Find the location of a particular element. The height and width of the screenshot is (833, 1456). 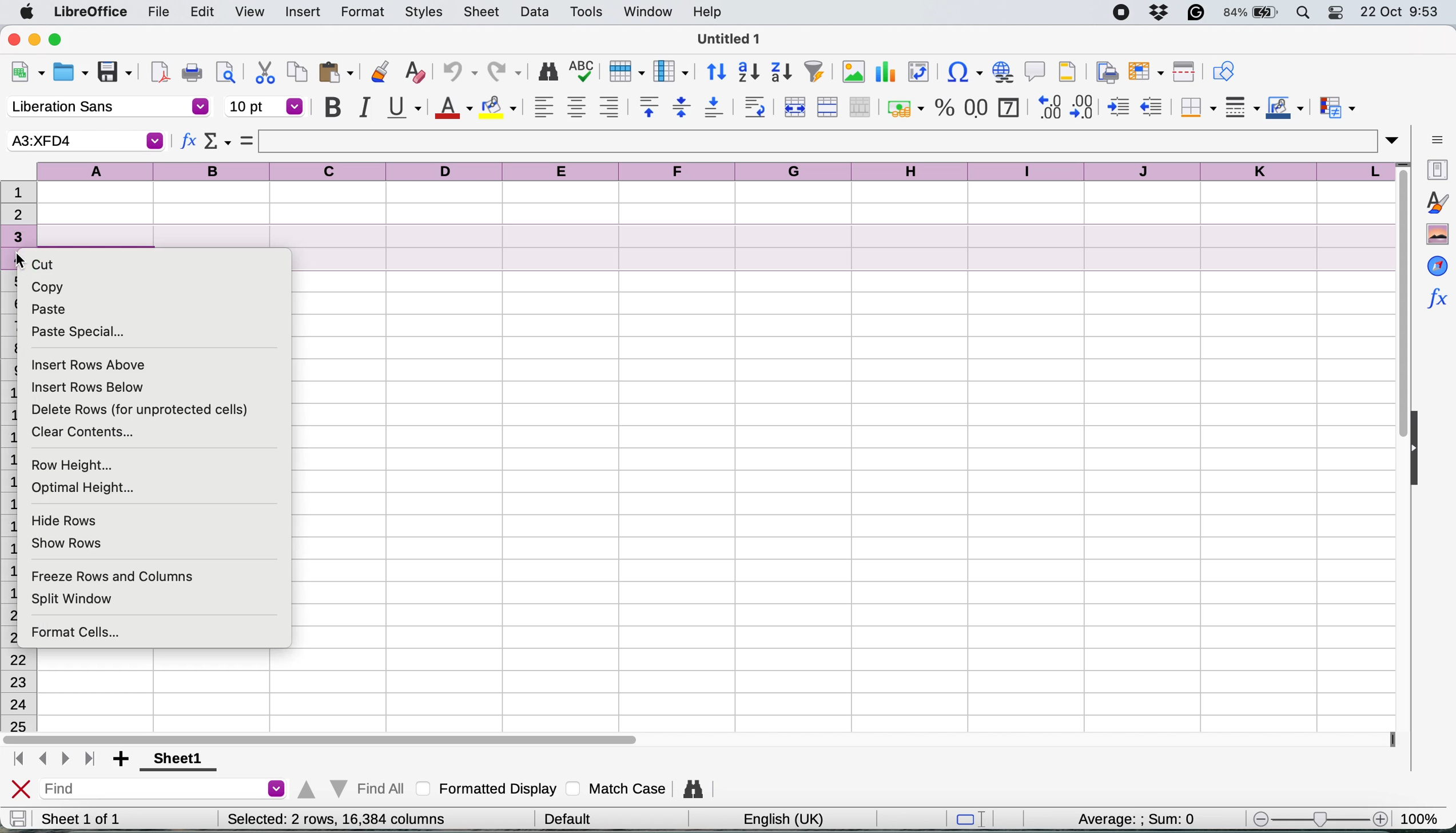

libreoffice is located at coordinates (93, 13).